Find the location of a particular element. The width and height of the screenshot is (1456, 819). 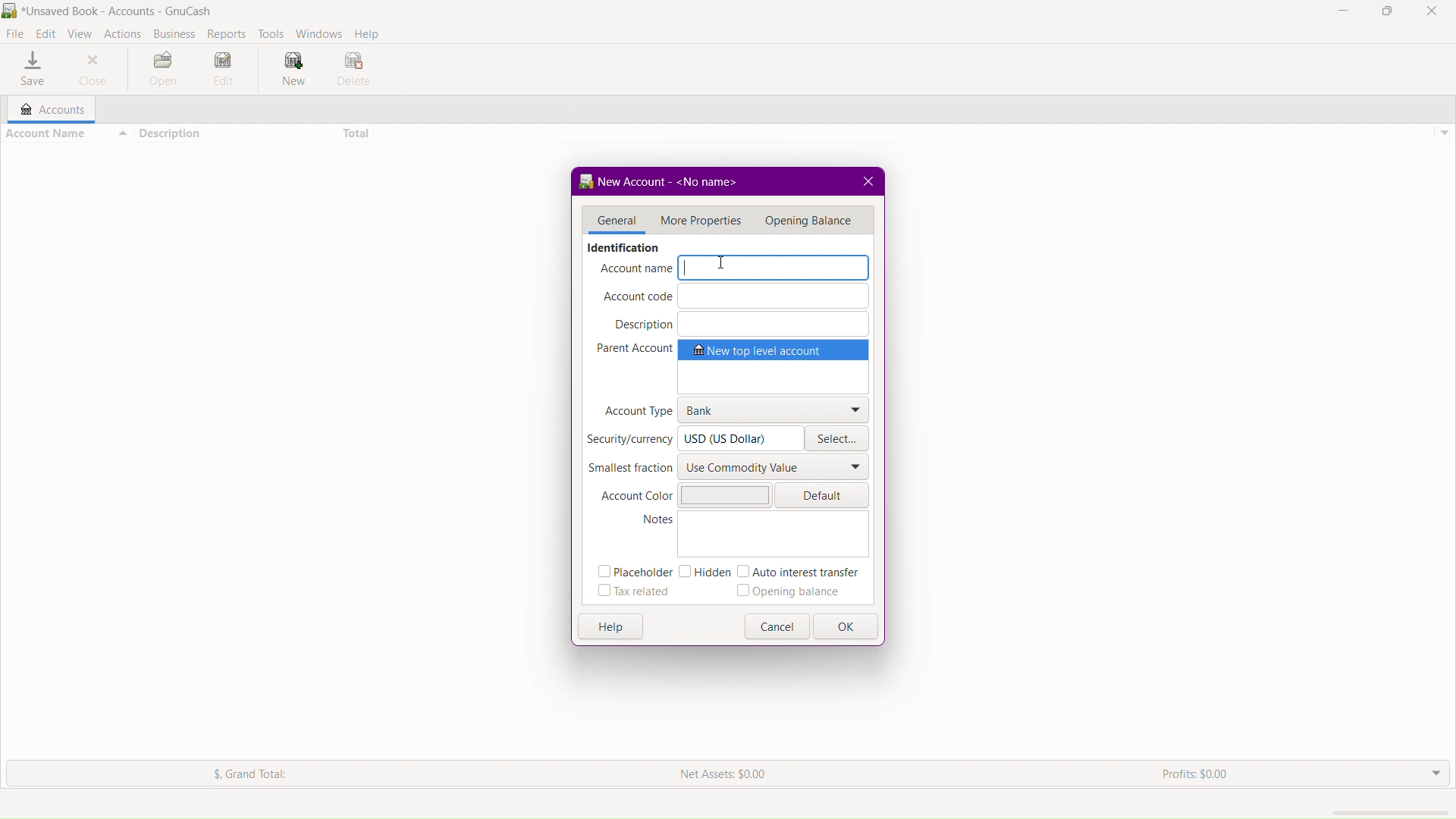

Profits: $0.00 is located at coordinates (1200, 773).